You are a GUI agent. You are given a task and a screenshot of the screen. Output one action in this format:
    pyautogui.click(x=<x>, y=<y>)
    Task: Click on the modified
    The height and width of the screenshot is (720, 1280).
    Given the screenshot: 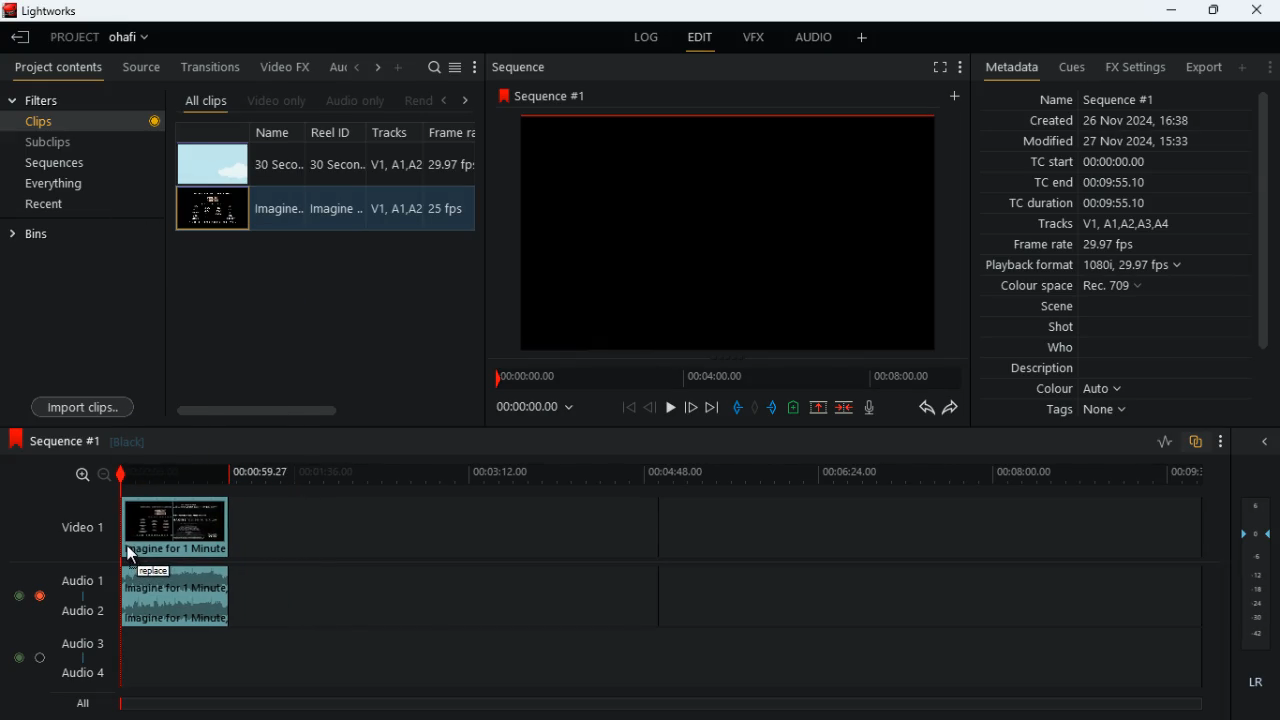 What is the action you would take?
    pyautogui.click(x=1106, y=141)
    